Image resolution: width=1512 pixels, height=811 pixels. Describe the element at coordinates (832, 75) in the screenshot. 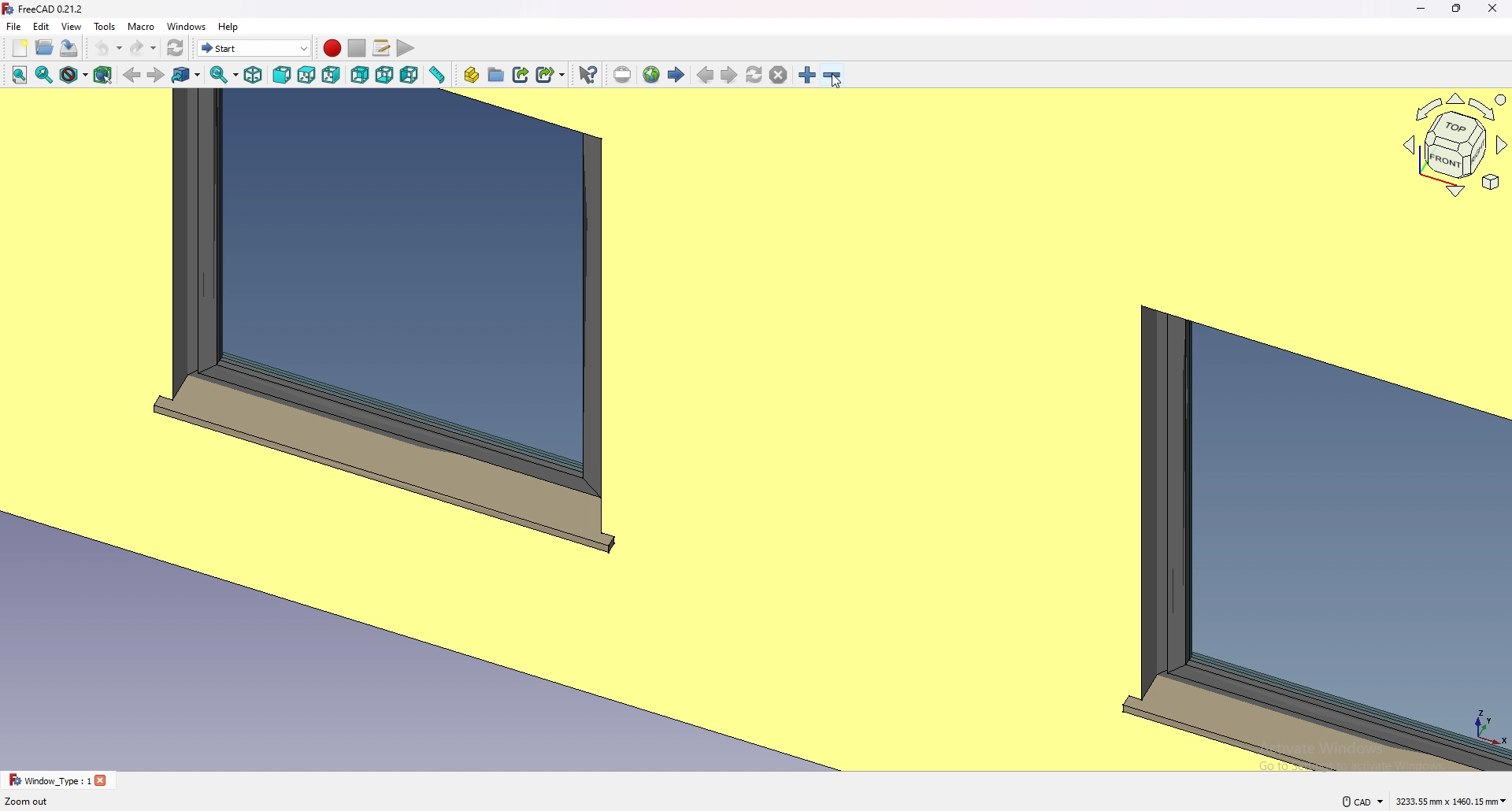

I see `zoom out` at that location.